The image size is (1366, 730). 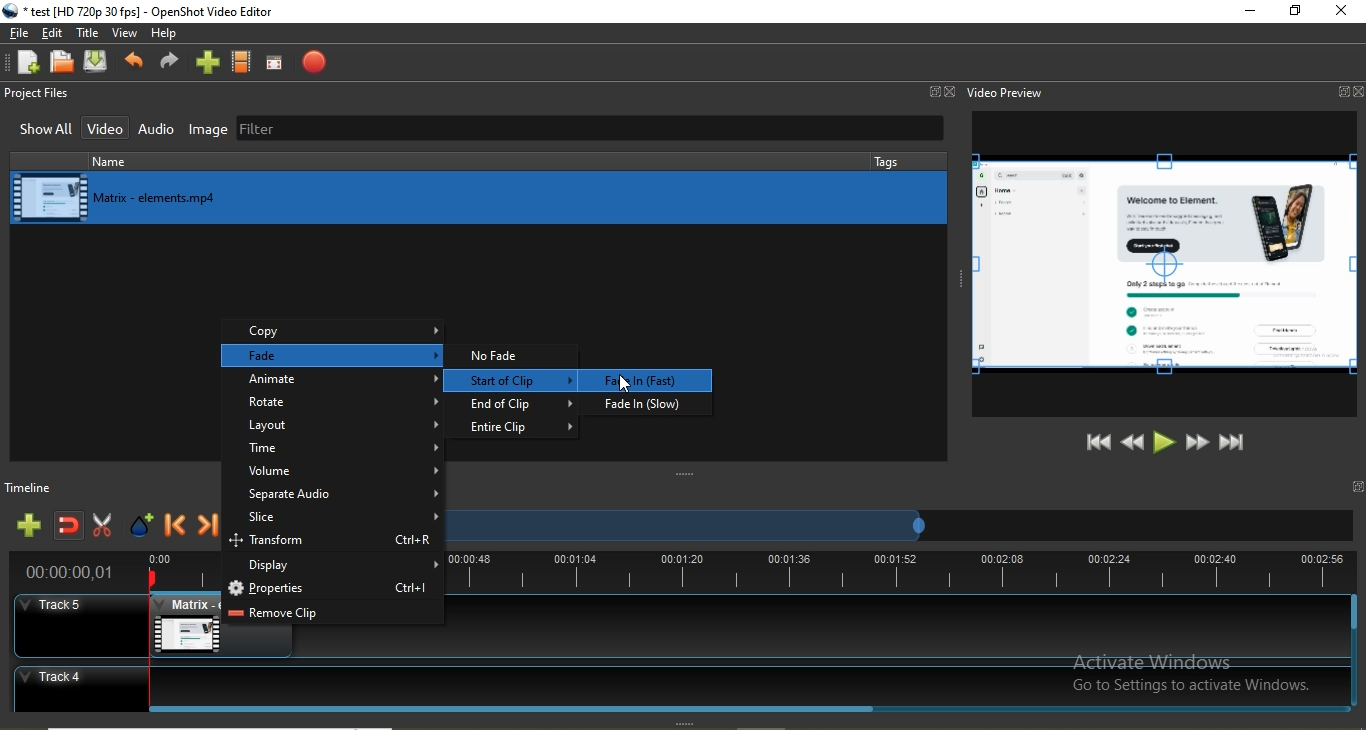 I want to click on remove clip, so click(x=332, y=615).